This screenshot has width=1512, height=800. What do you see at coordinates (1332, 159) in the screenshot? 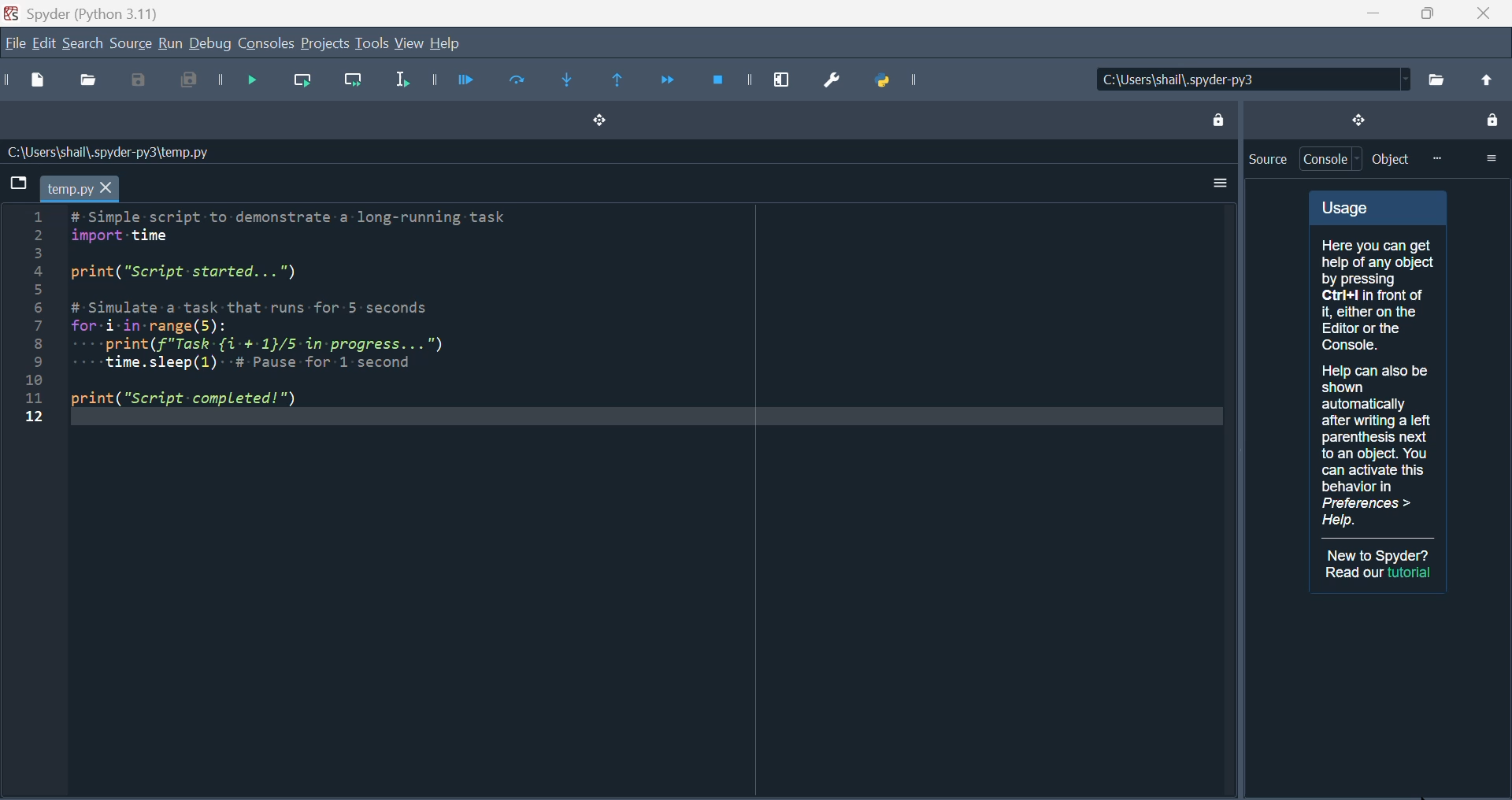
I see `Console` at bounding box center [1332, 159].